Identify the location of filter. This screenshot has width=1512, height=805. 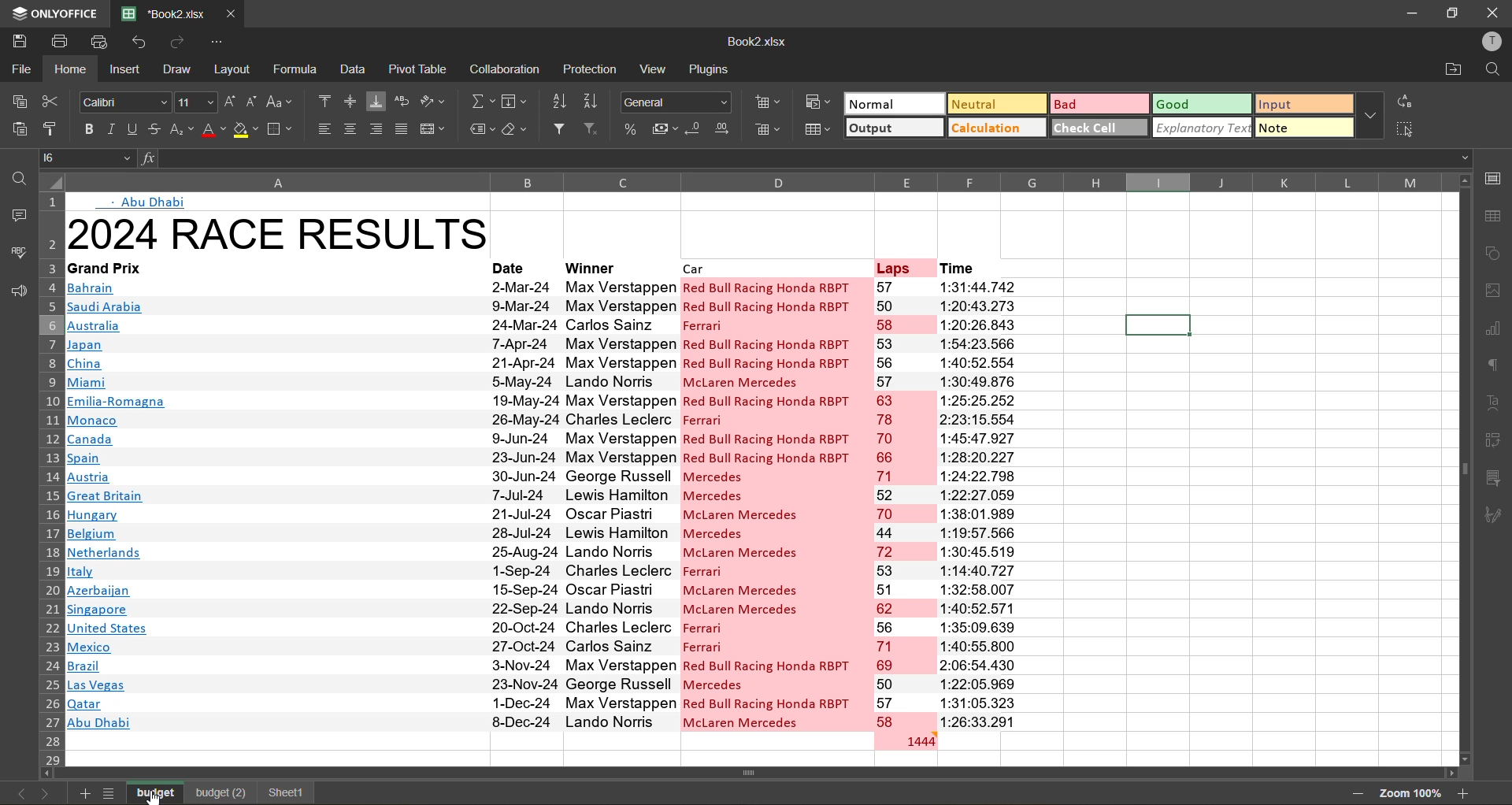
(563, 131).